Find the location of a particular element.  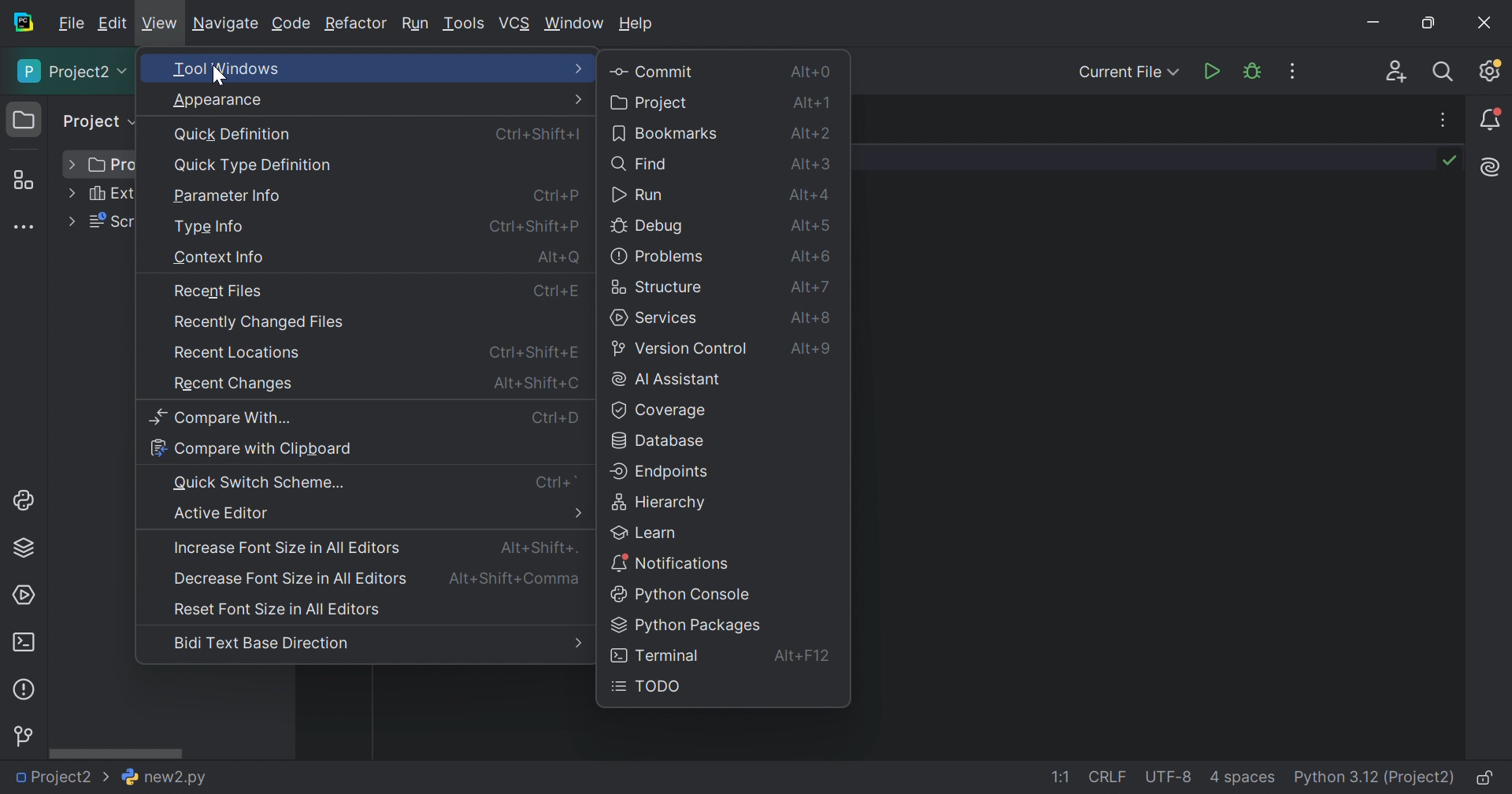

Alt+0 is located at coordinates (812, 71).